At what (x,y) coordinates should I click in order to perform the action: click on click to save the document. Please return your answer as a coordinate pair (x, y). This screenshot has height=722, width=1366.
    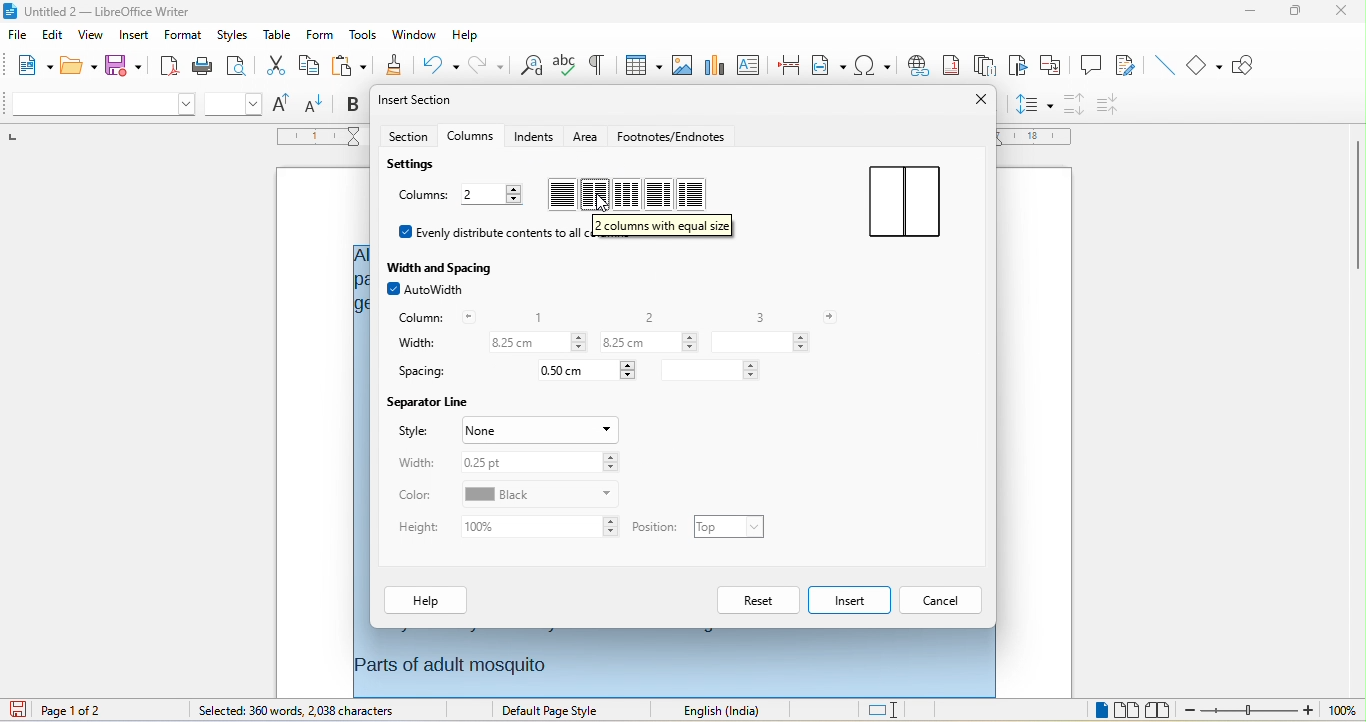
    Looking at the image, I should click on (17, 710).